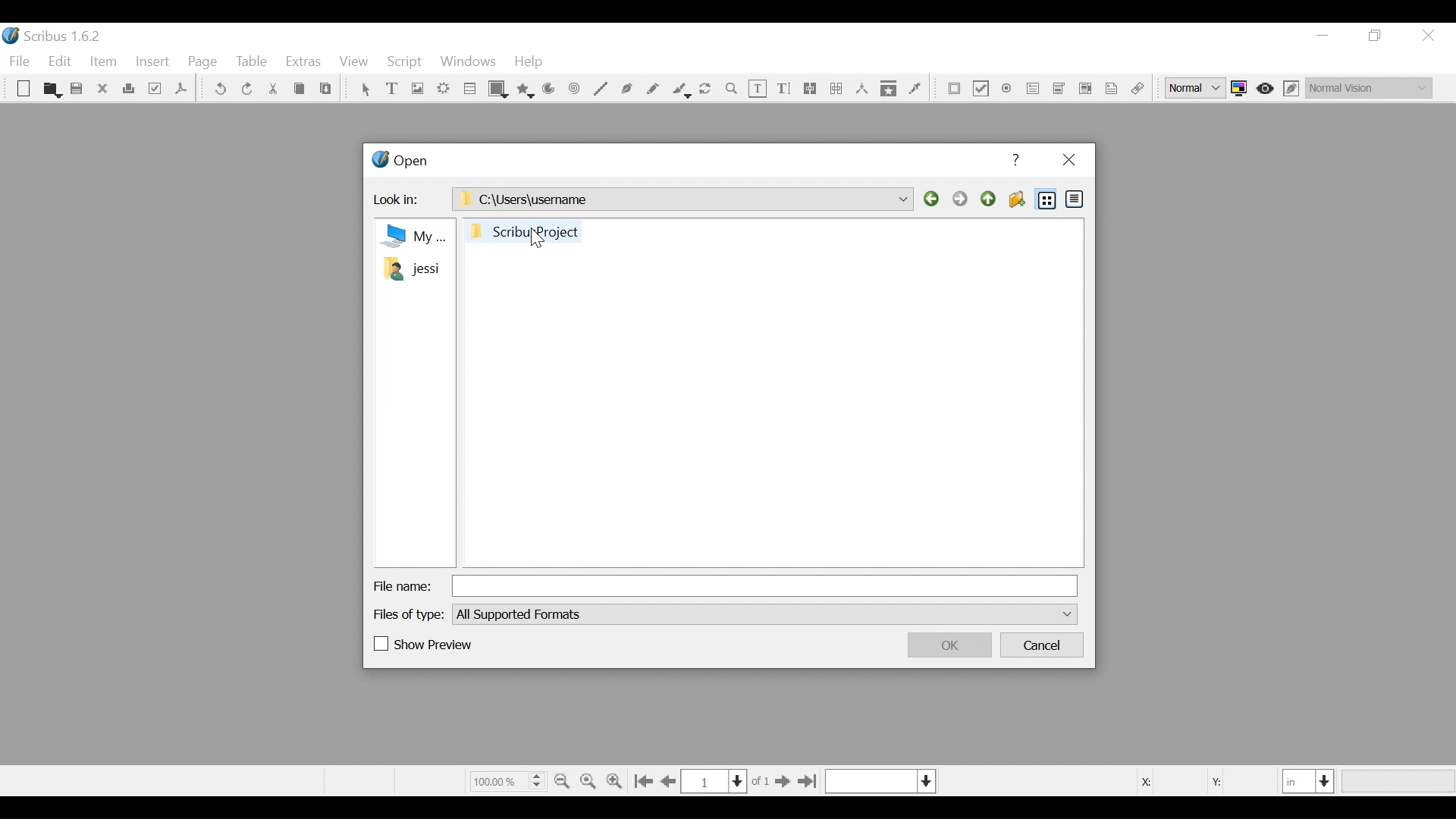 The height and width of the screenshot is (819, 1456). I want to click on Parent Directory, so click(990, 199).